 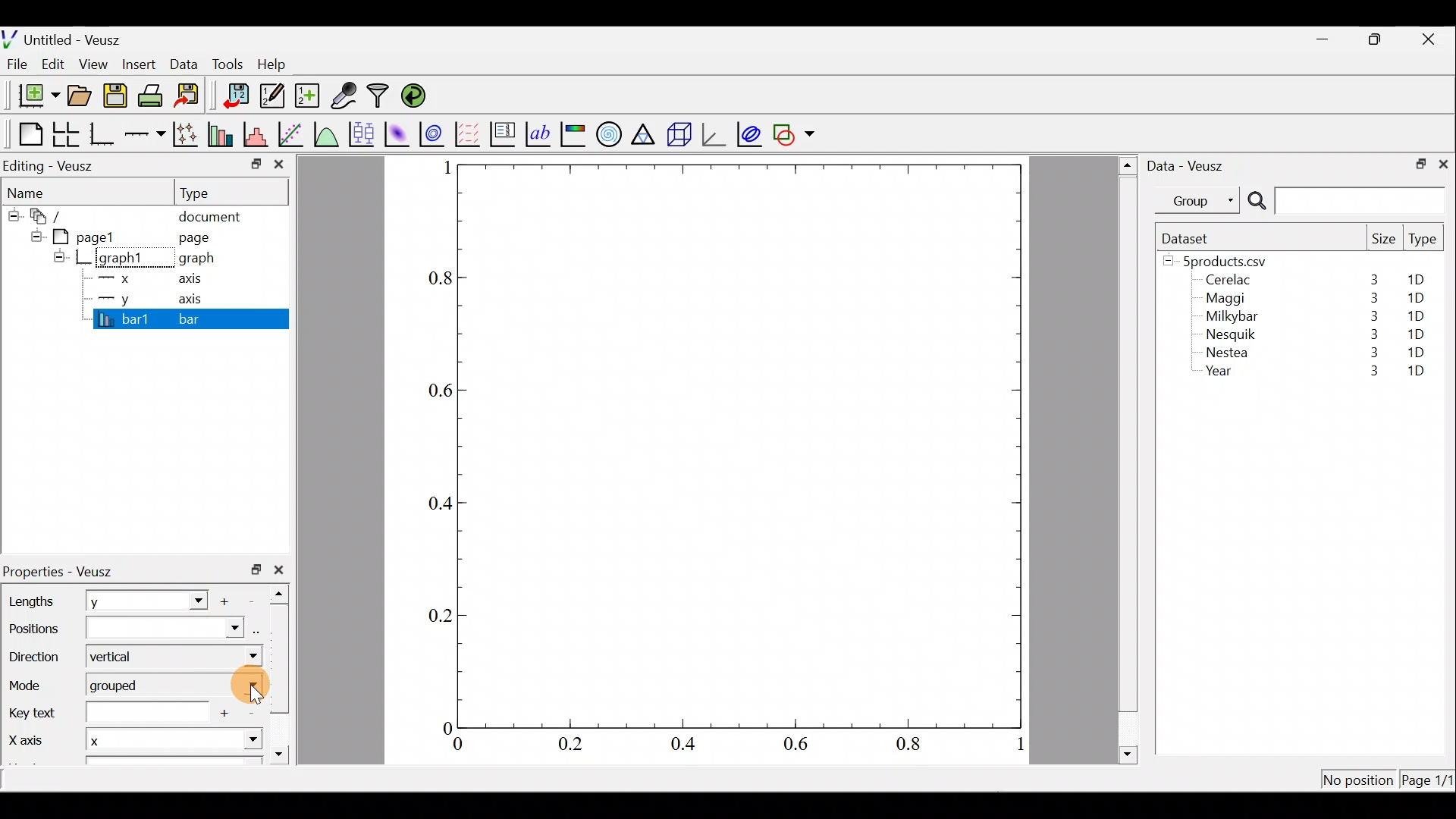 I want to click on 0, so click(x=458, y=746).